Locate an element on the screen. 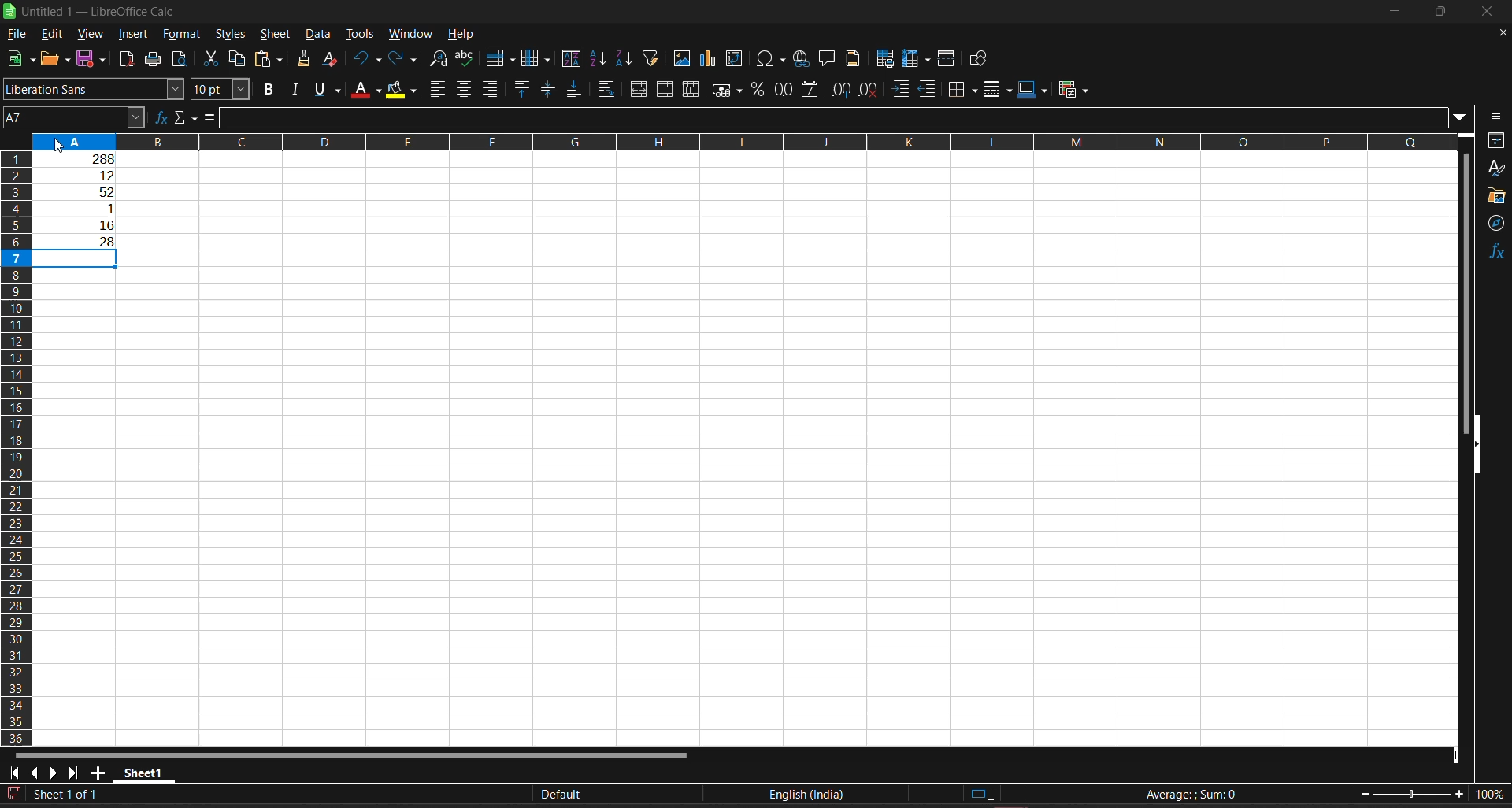 The width and height of the screenshot is (1512, 808). function wizard is located at coordinates (160, 117).